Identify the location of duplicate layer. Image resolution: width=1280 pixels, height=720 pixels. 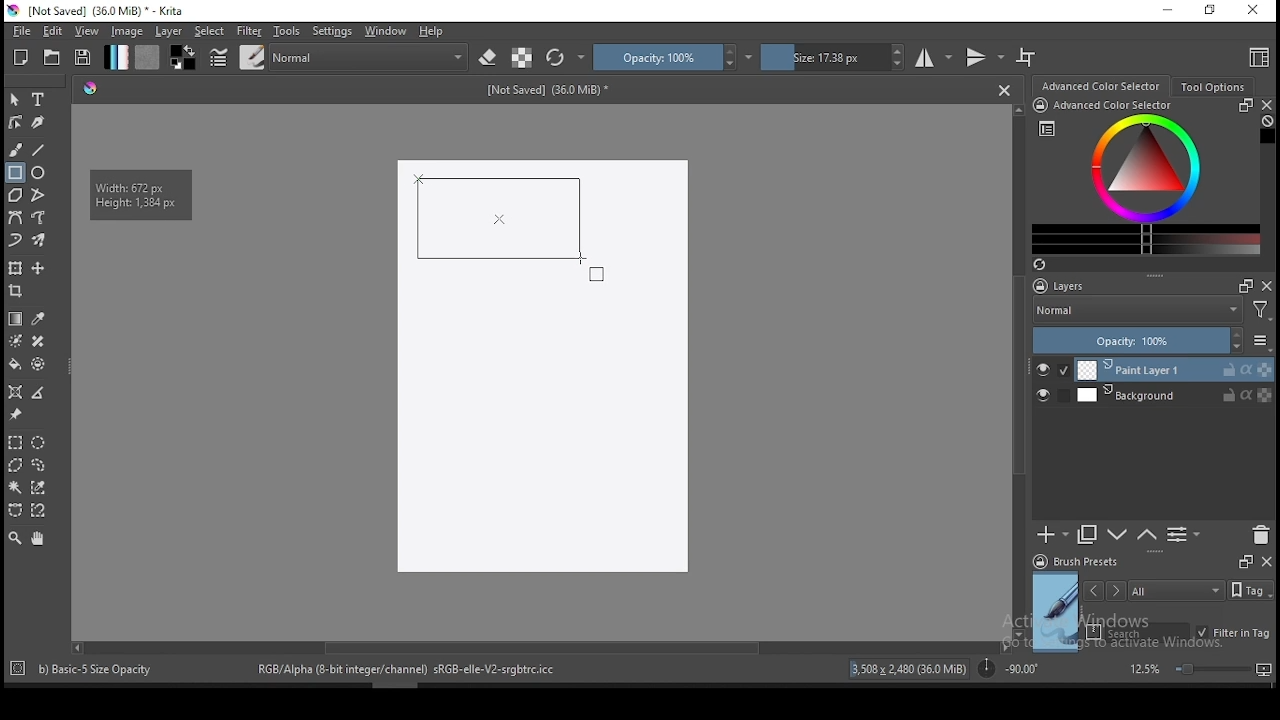
(1088, 534).